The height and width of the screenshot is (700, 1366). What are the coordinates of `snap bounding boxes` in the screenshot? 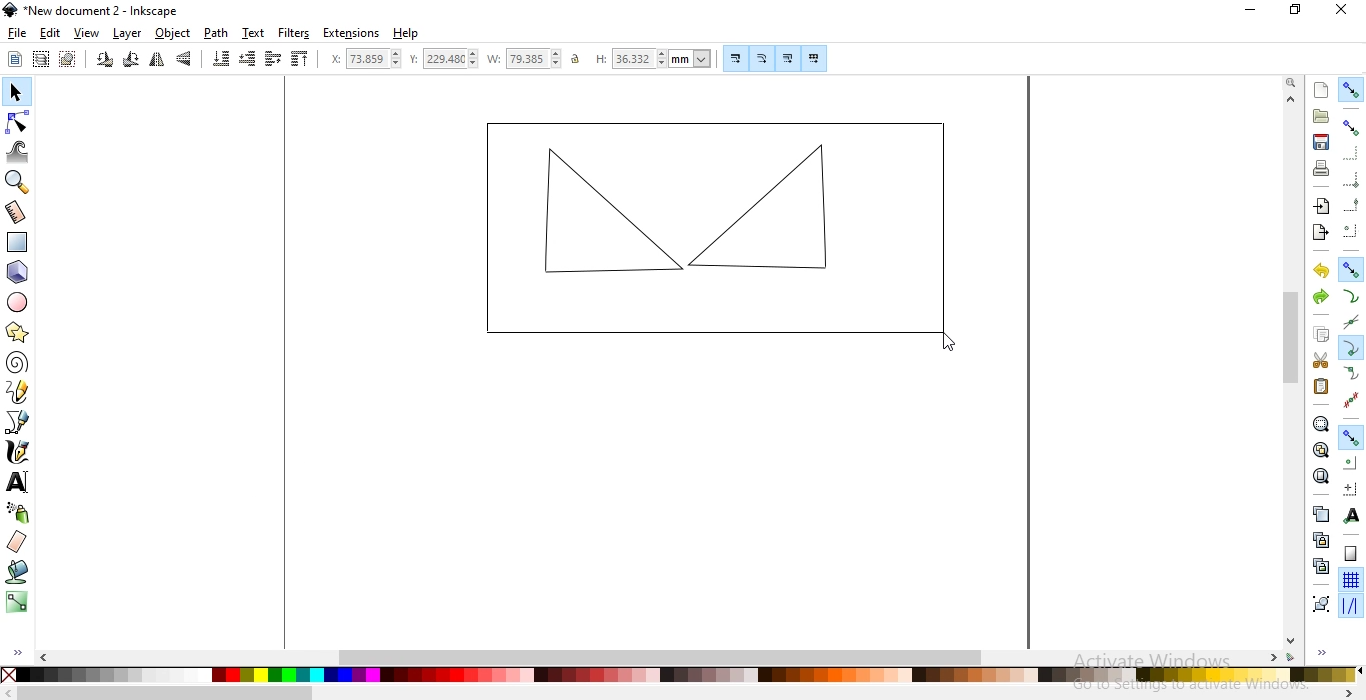 It's located at (1352, 128).